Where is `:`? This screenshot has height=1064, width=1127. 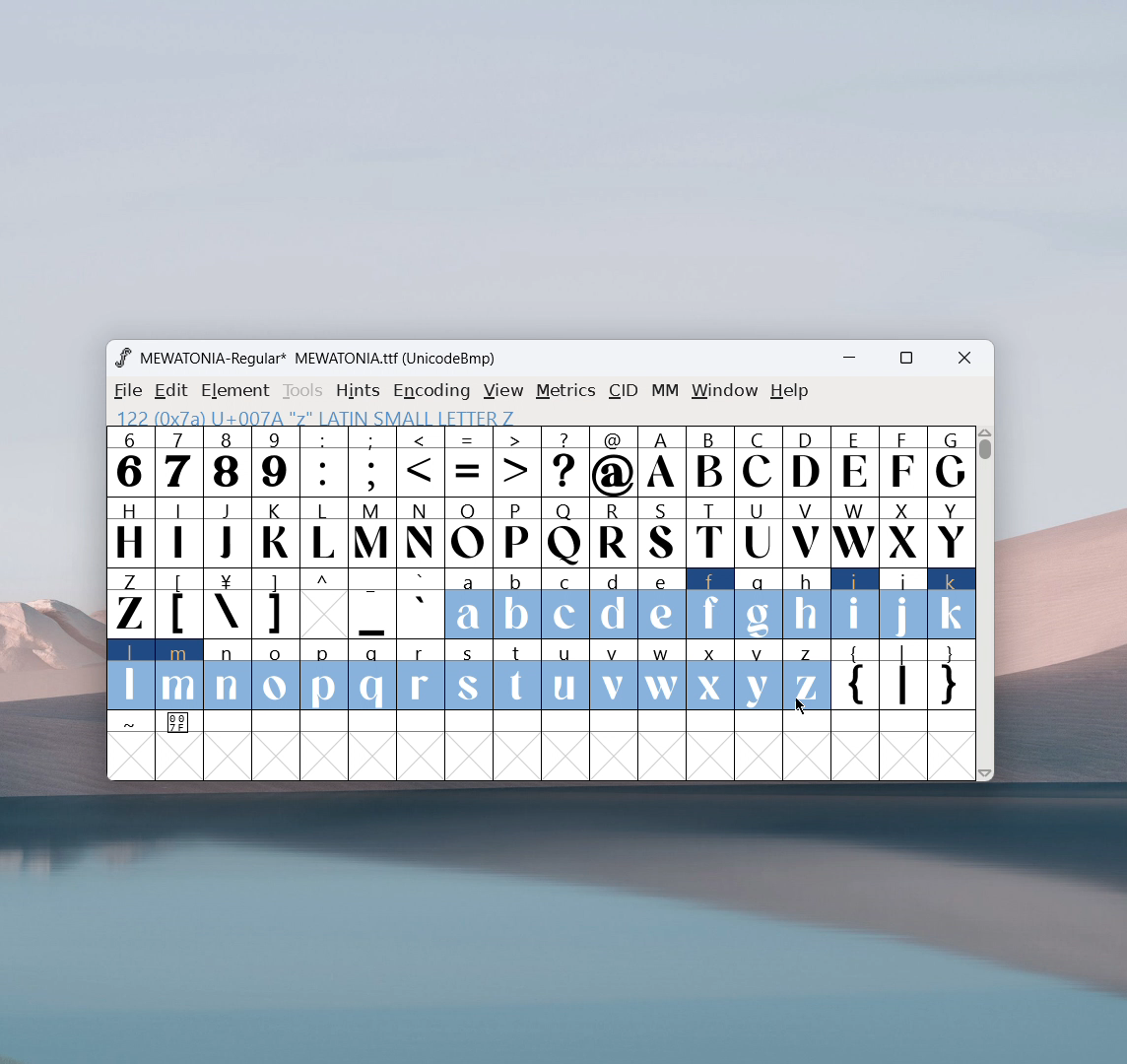 : is located at coordinates (323, 462).